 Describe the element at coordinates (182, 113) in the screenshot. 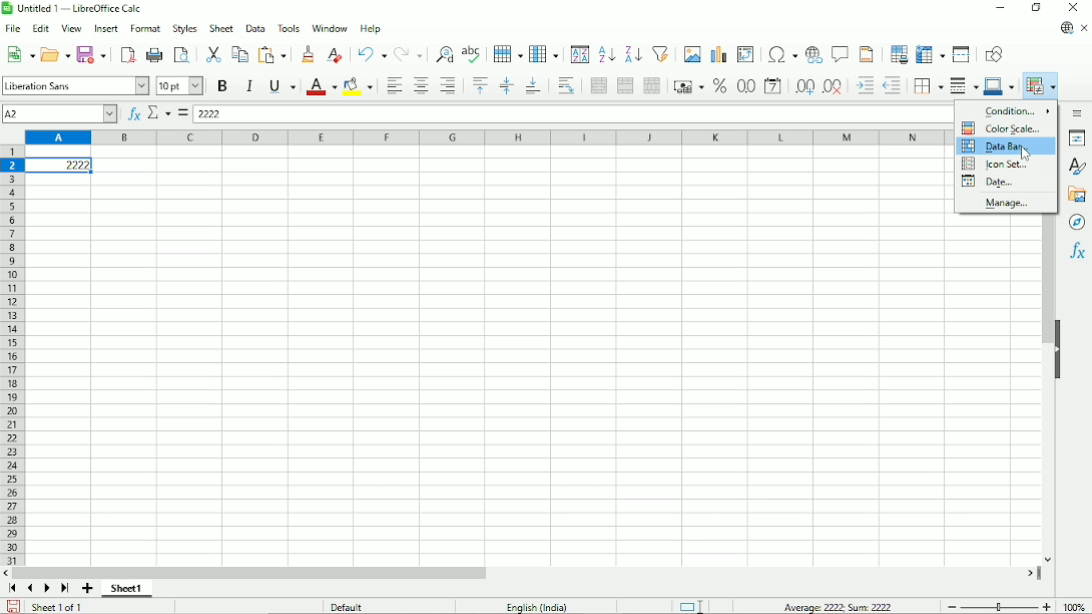

I see `Formula` at that location.